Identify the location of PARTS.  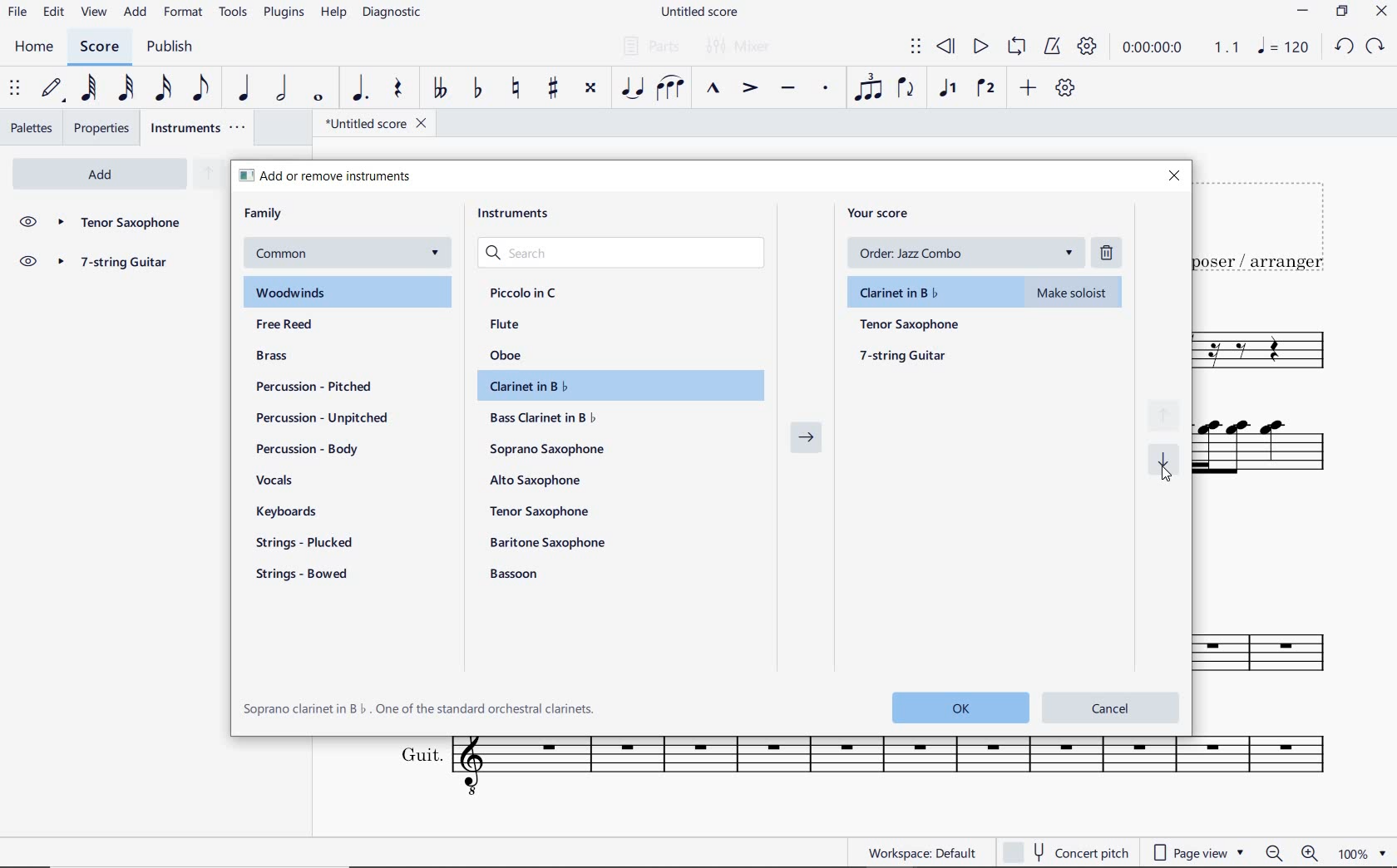
(648, 44).